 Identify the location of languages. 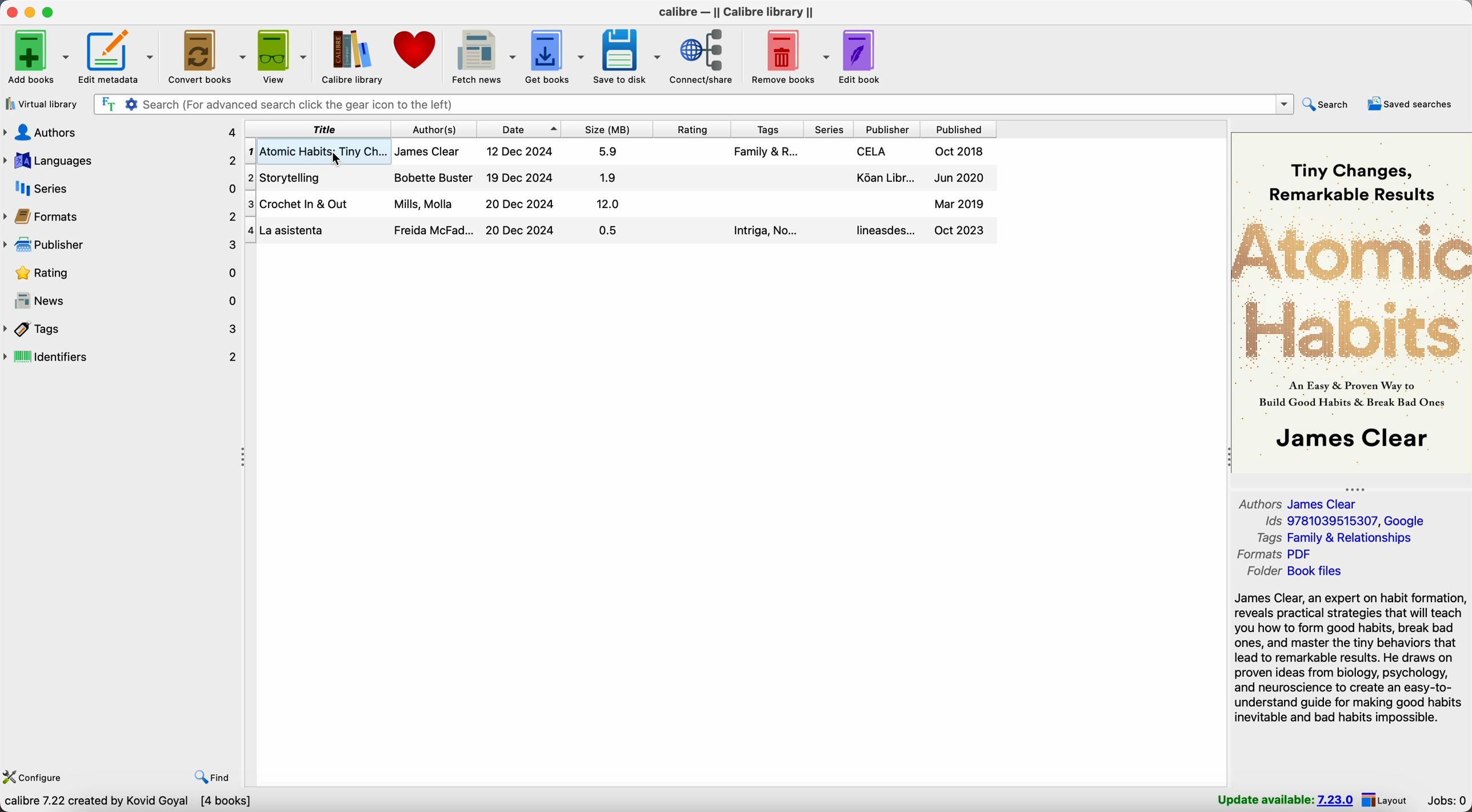
(121, 159).